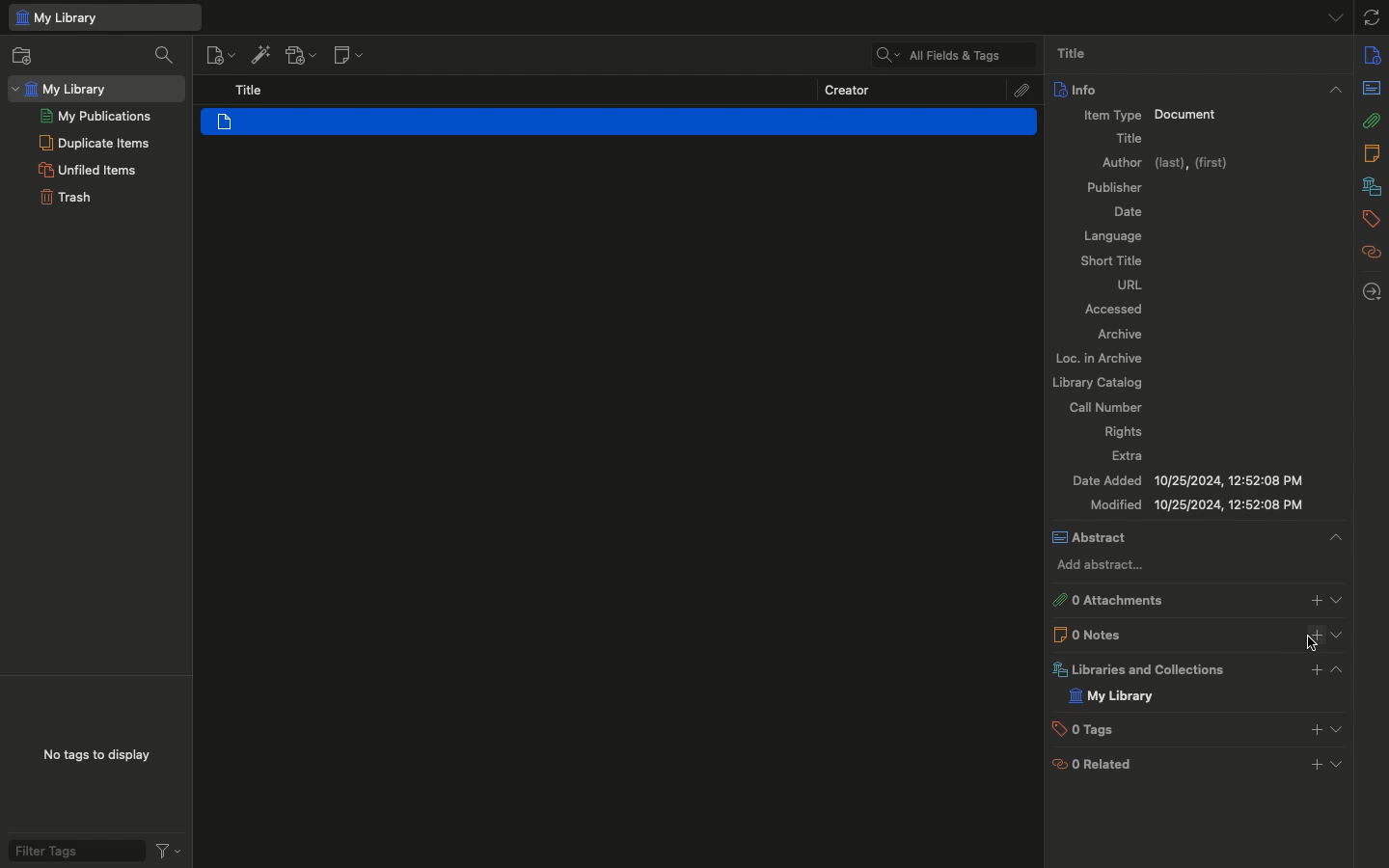  What do you see at coordinates (95, 88) in the screenshot?
I see `My library` at bounding box center [95, 88].